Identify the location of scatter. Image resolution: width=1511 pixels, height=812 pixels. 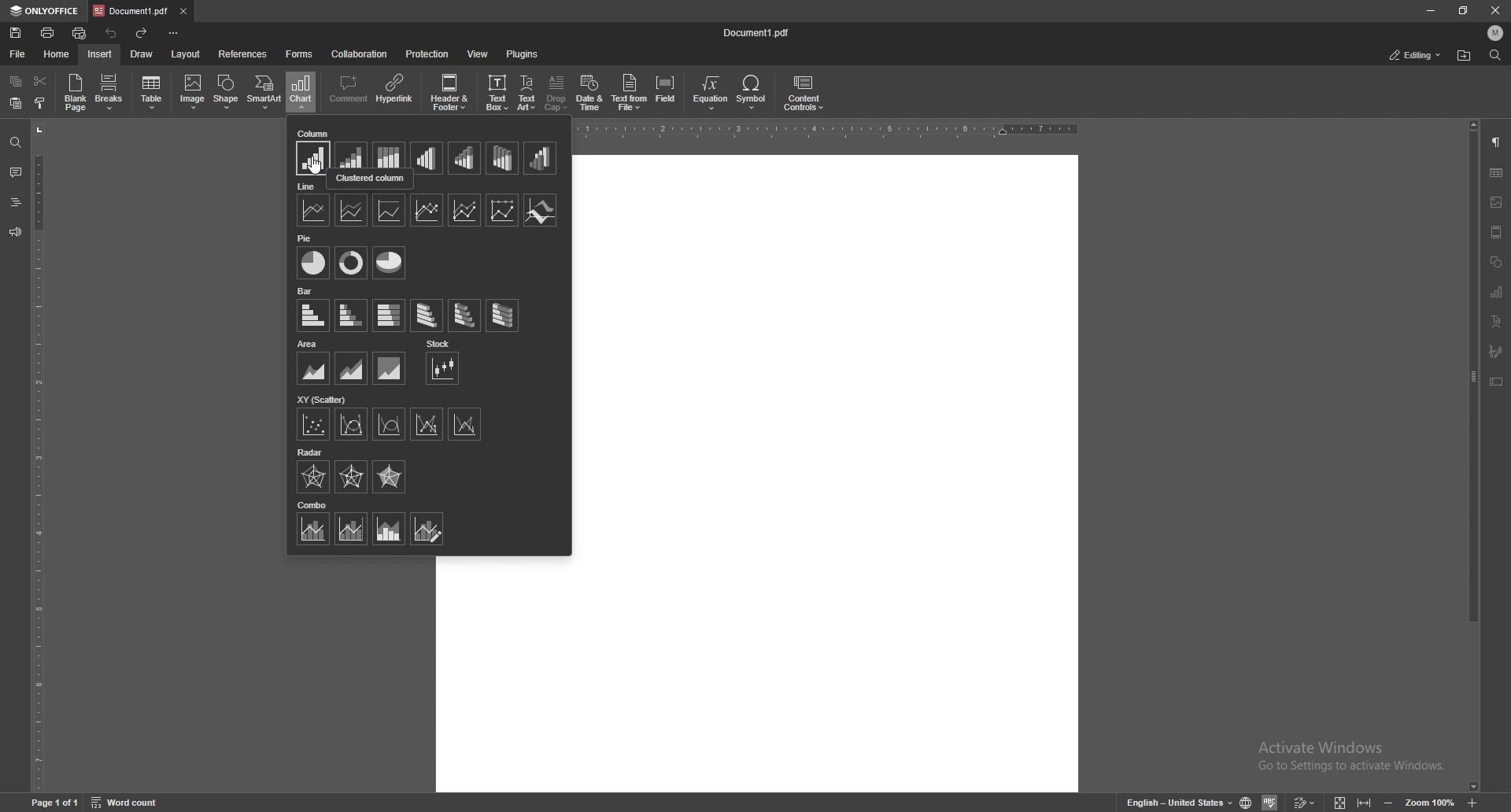
(314, 424).